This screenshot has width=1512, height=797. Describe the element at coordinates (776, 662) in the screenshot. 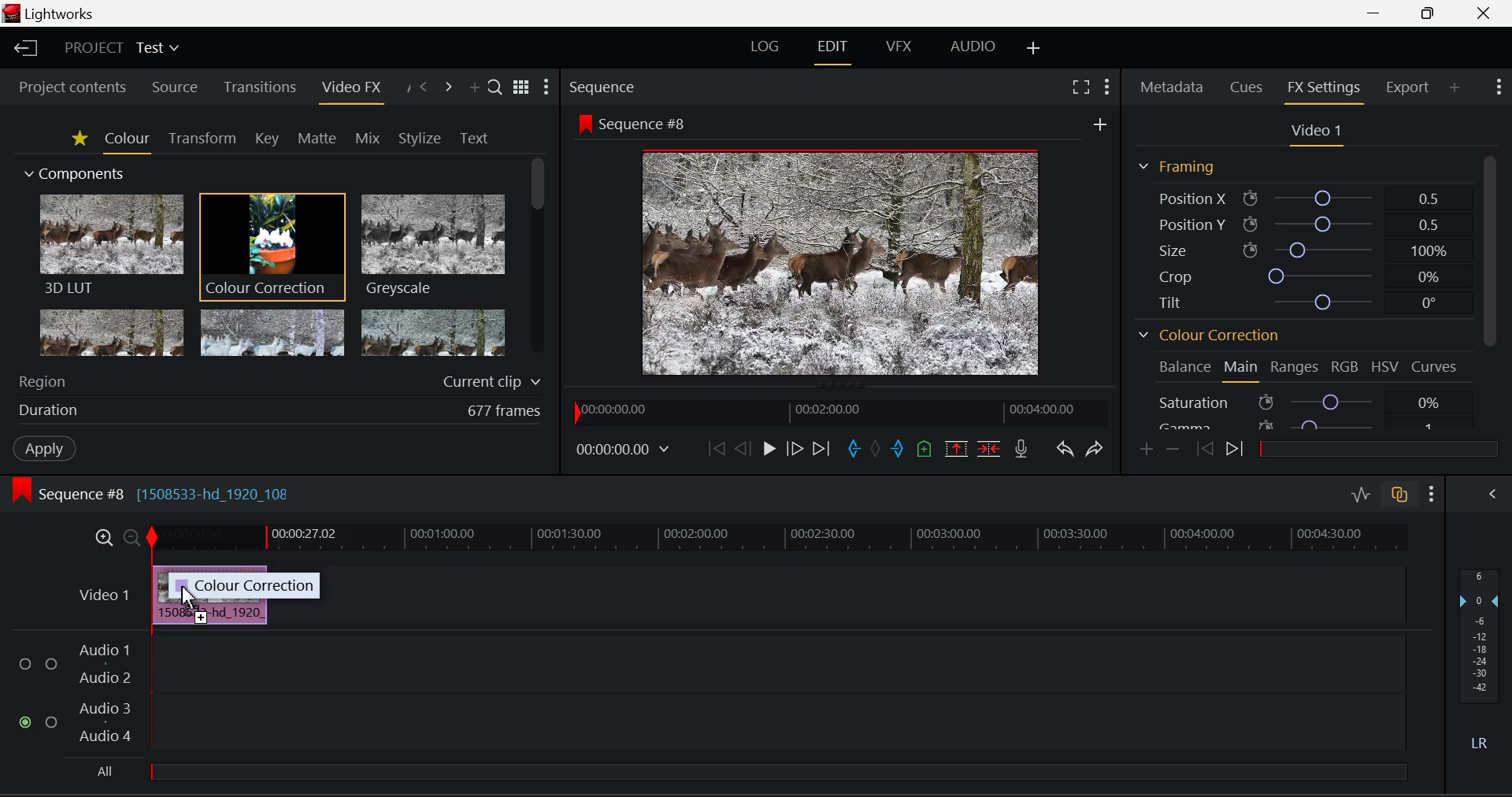

I see `Audio Input Field` at that location.